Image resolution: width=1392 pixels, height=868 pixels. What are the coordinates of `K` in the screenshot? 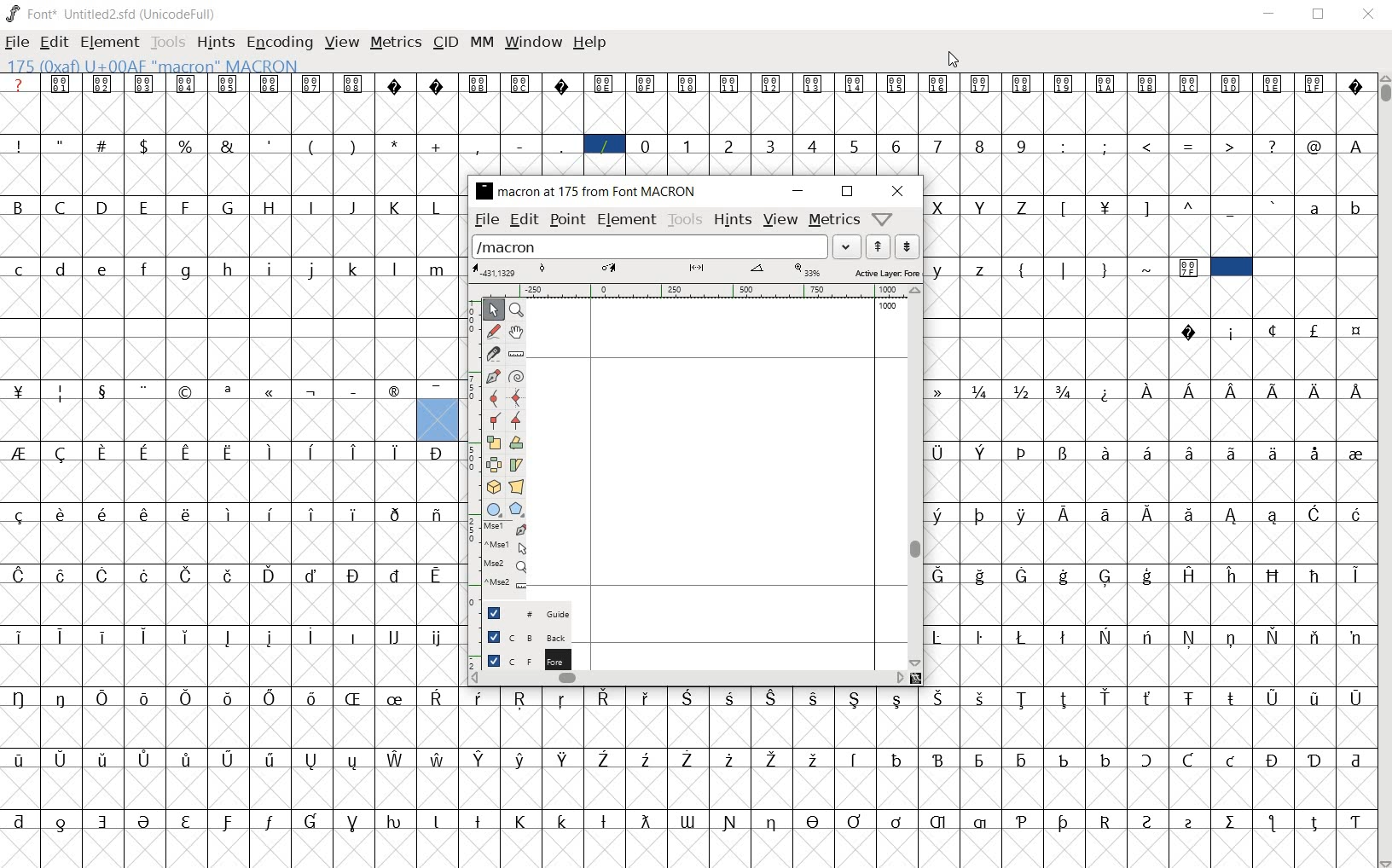 It's located at (397, 206).